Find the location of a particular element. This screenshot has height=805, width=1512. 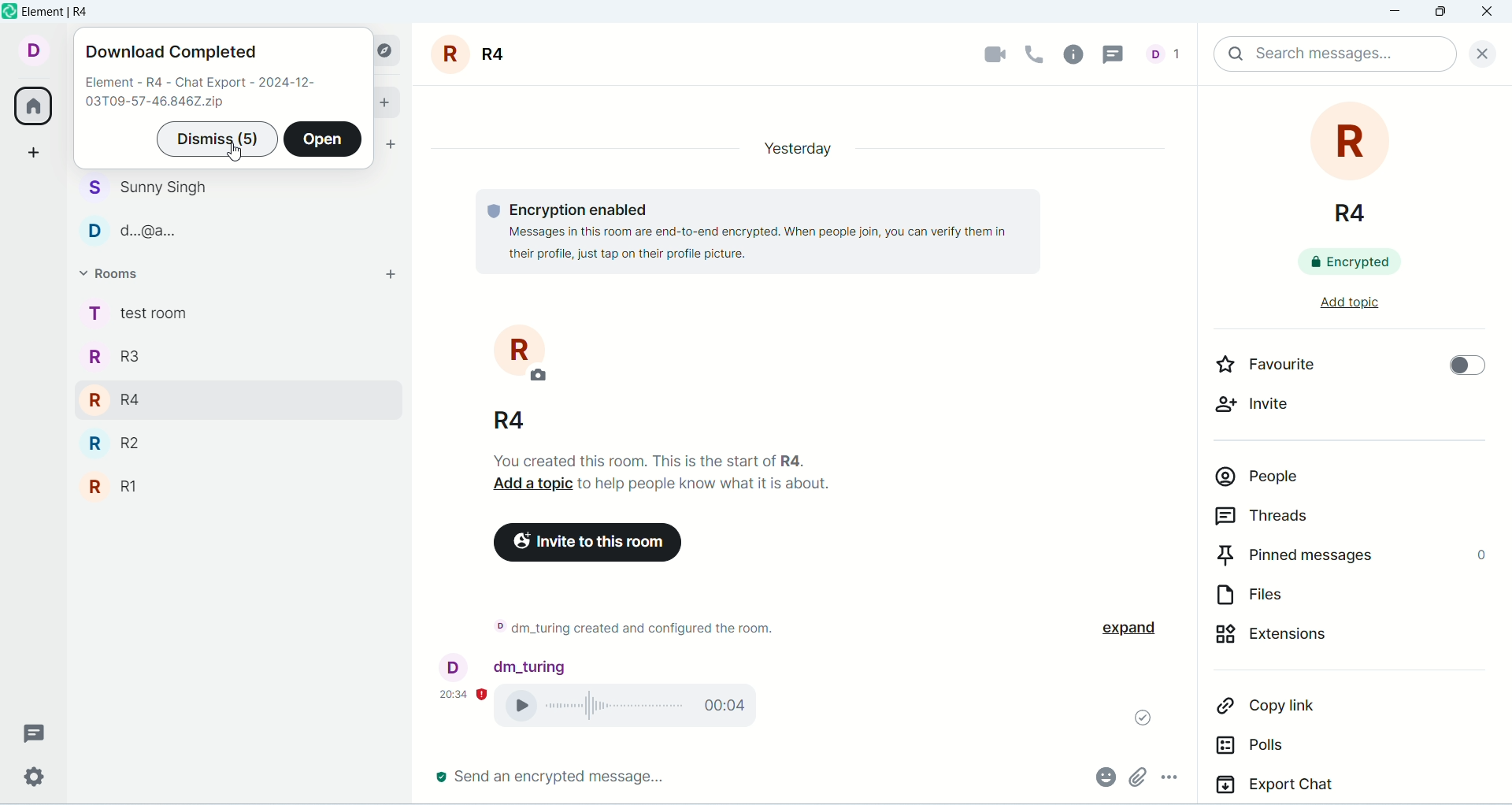

day is located at coordinates (791, 147).